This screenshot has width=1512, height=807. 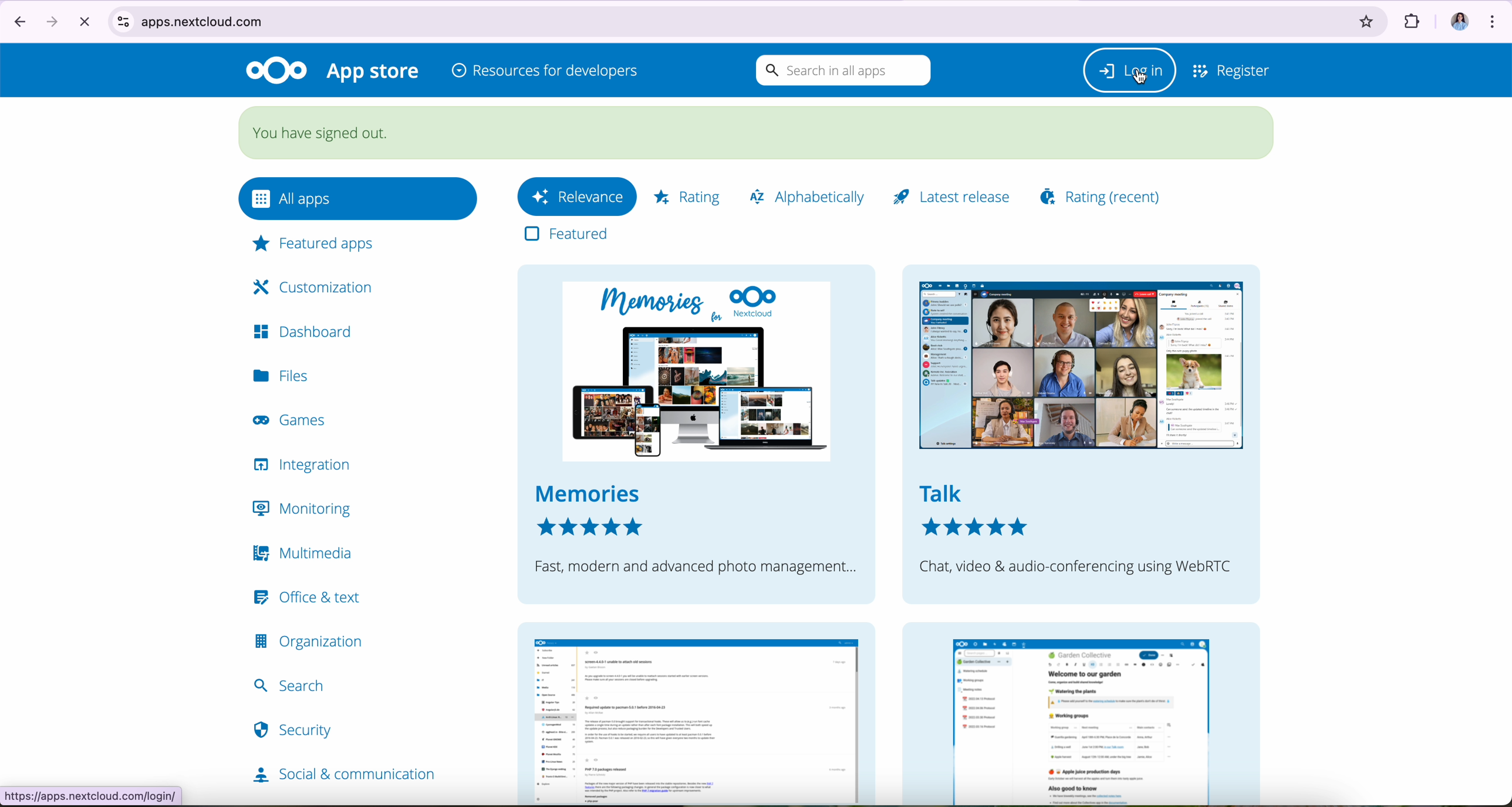 I want to click on rating, so click(x=694, y=197).